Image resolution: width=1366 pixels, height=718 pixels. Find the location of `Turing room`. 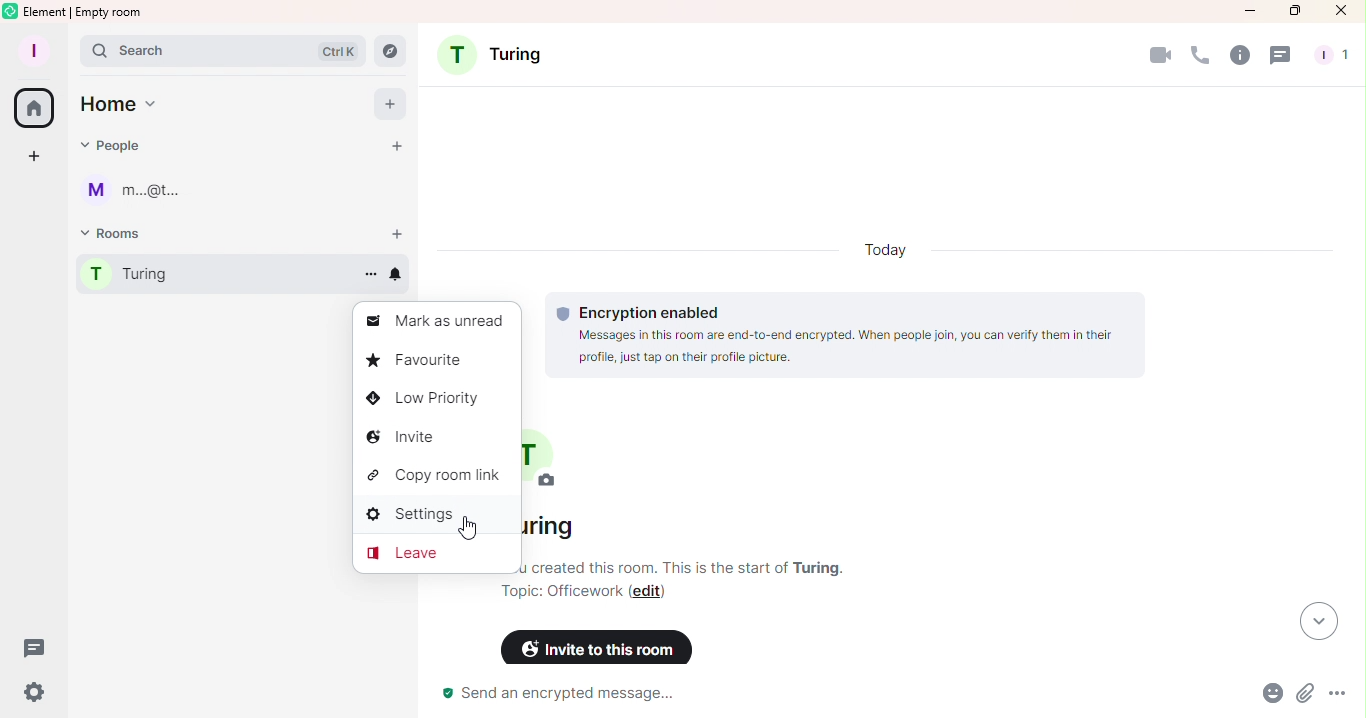

Turing room is located at coordinates (562, 52).